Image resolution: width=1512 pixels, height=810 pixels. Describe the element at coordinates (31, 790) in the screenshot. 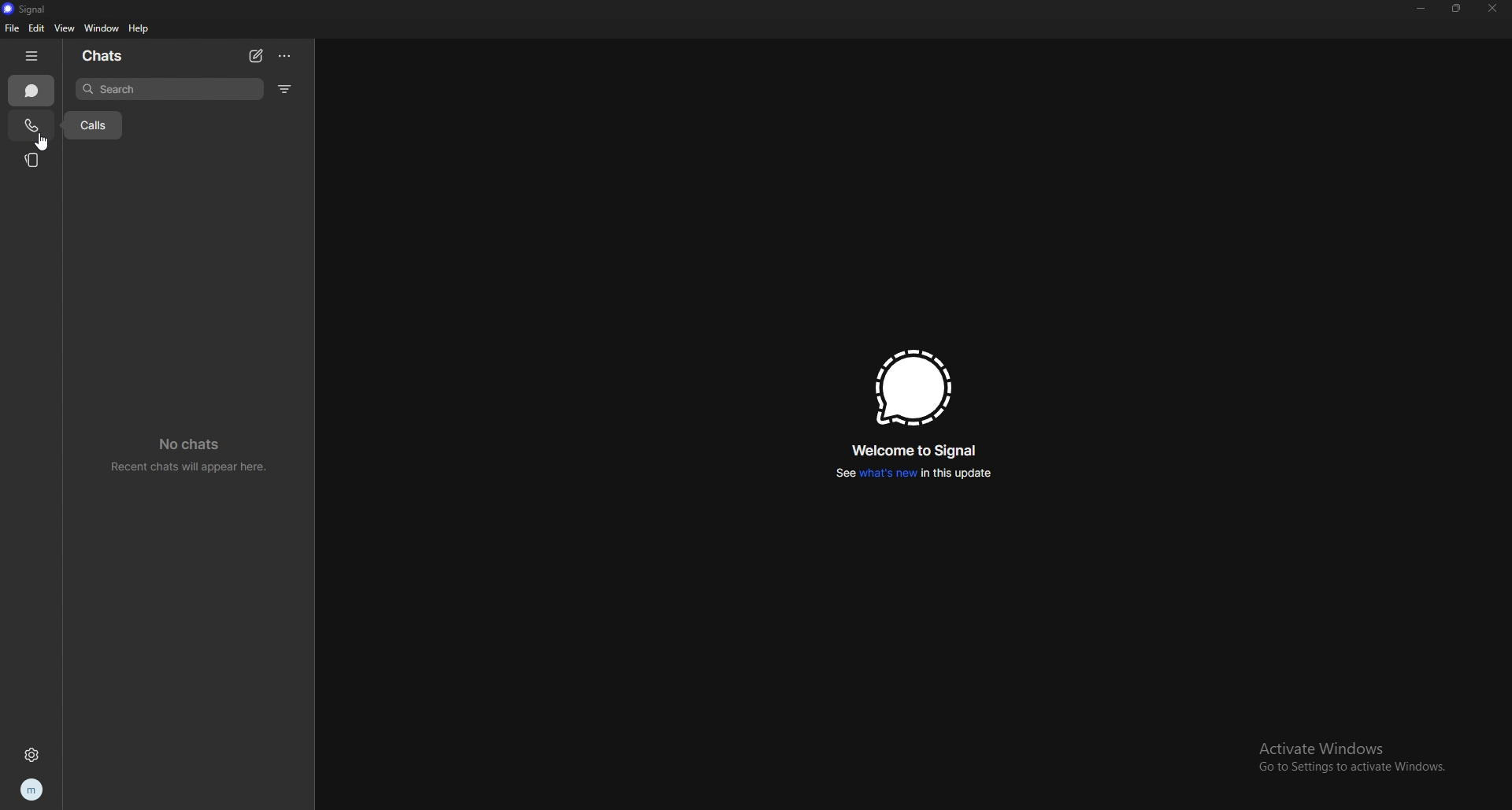

I see `profile` at that location.